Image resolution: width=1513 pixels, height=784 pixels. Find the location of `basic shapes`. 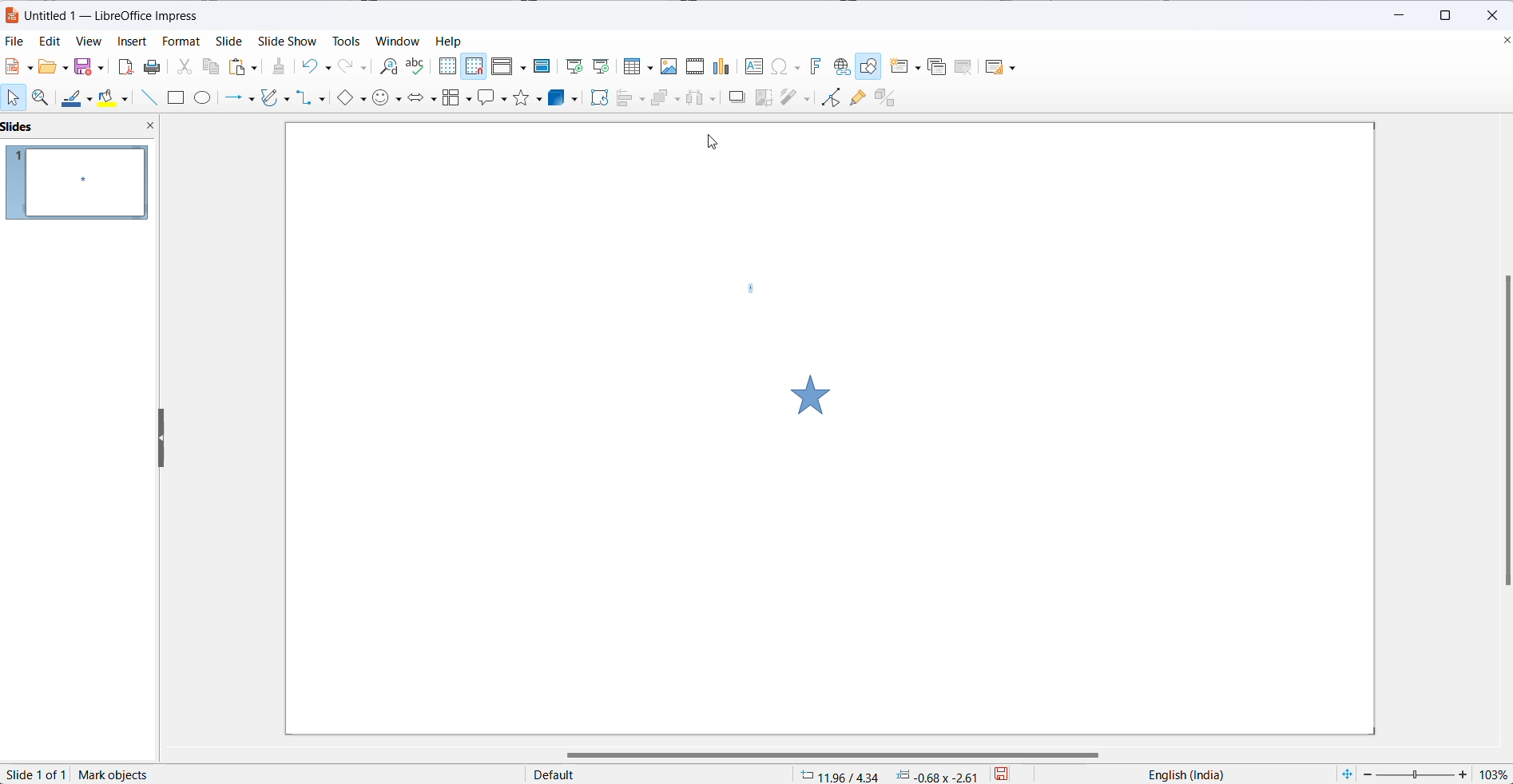

basic shapes is located at coordinates (354, 99).